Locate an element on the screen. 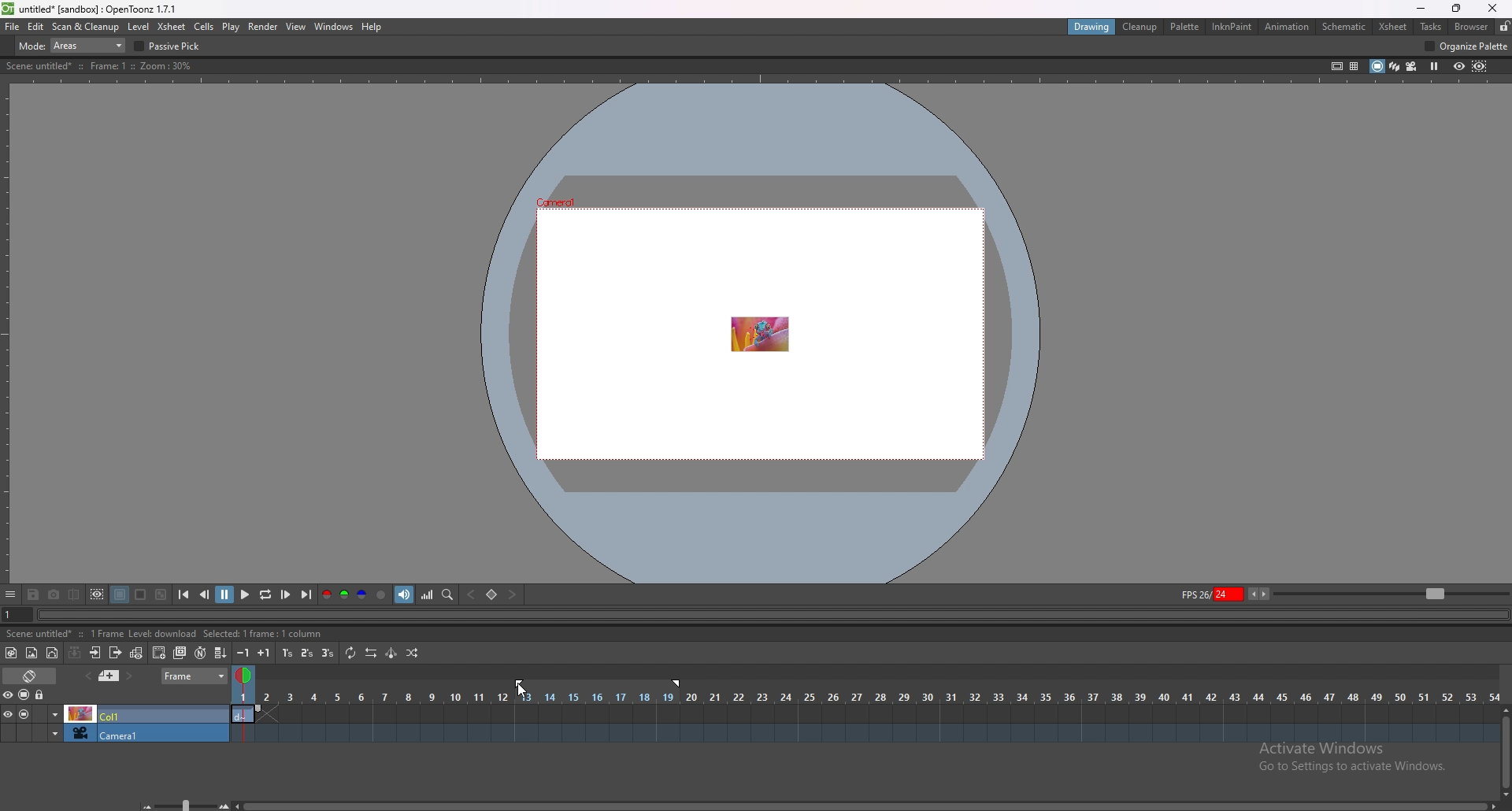  time is located at coordinates (865, 696).